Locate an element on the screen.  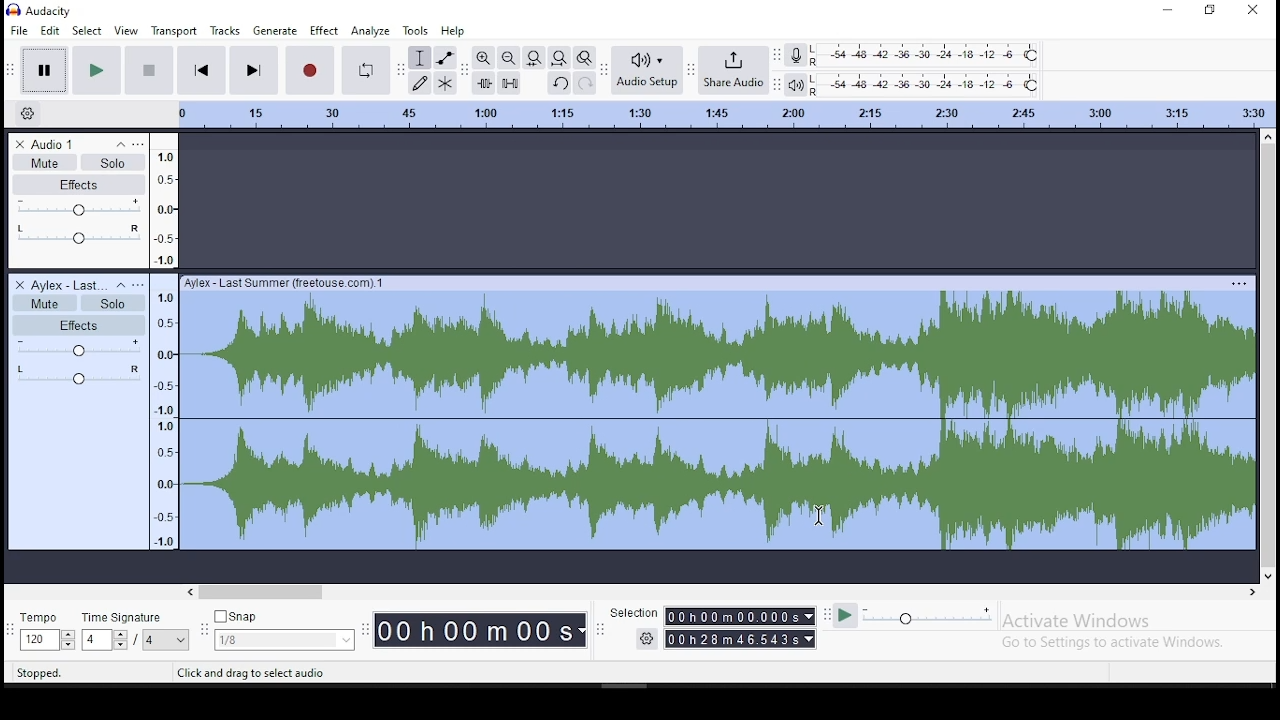
timeline options is located at coordinates (28, 113).